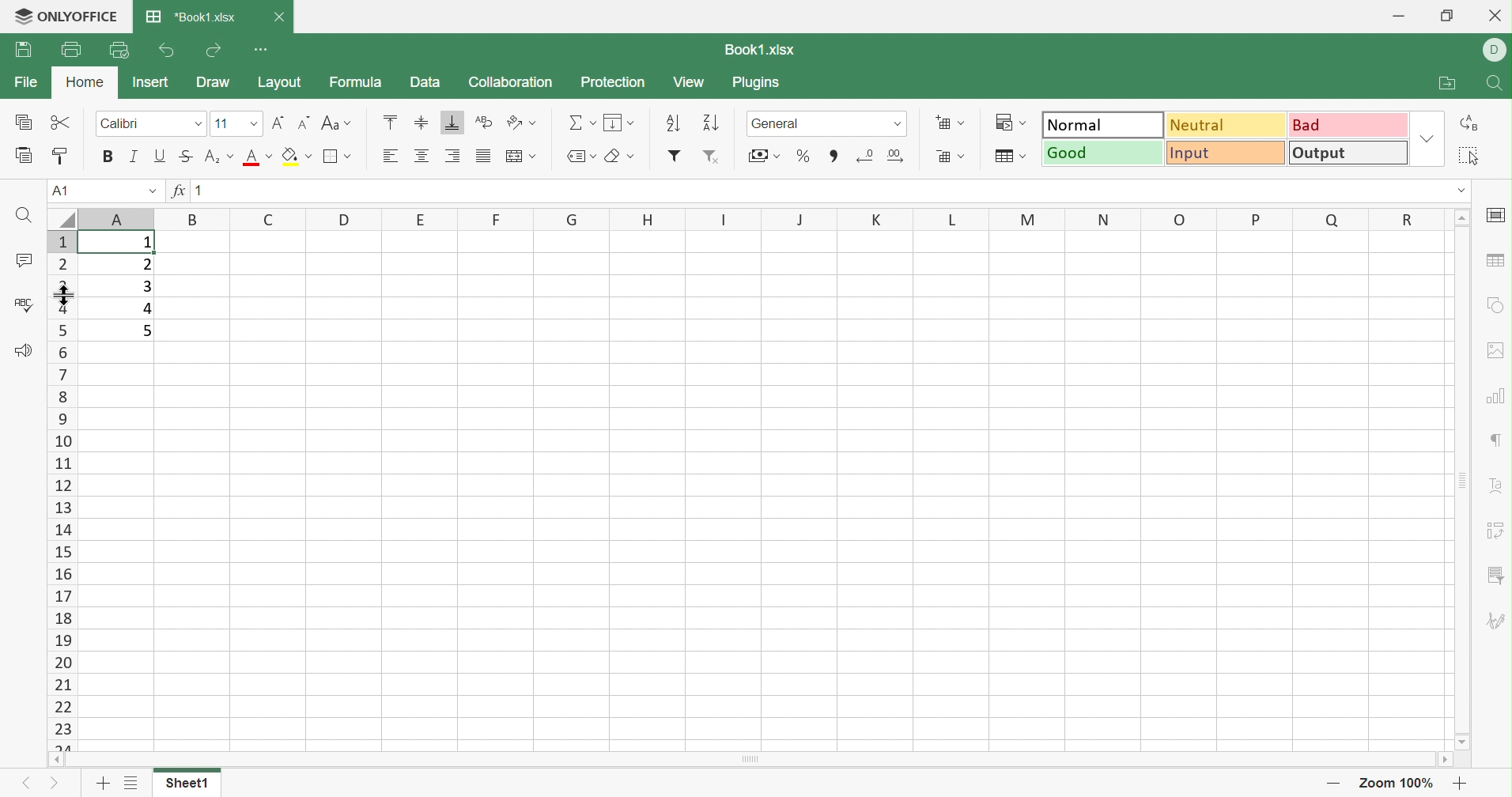 Image resolution: width=1512 pixels, height=797 pixels. What do you see at coordinates (833, 157) in the screenshot?
I see `Comma style` at bounding box center [833, 157].